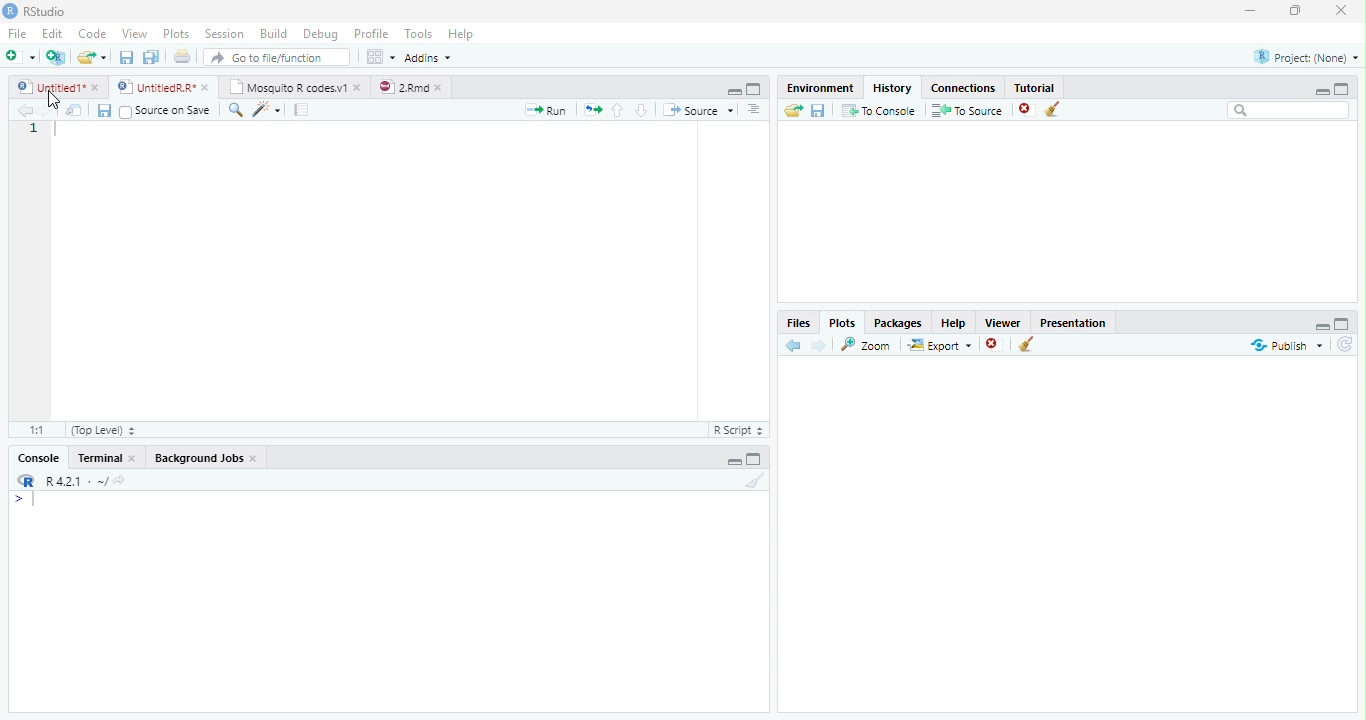  What do you see at coordinates (1322, 327) in the screenshot?
I see `Hide` at bounding box center [1322, 327].